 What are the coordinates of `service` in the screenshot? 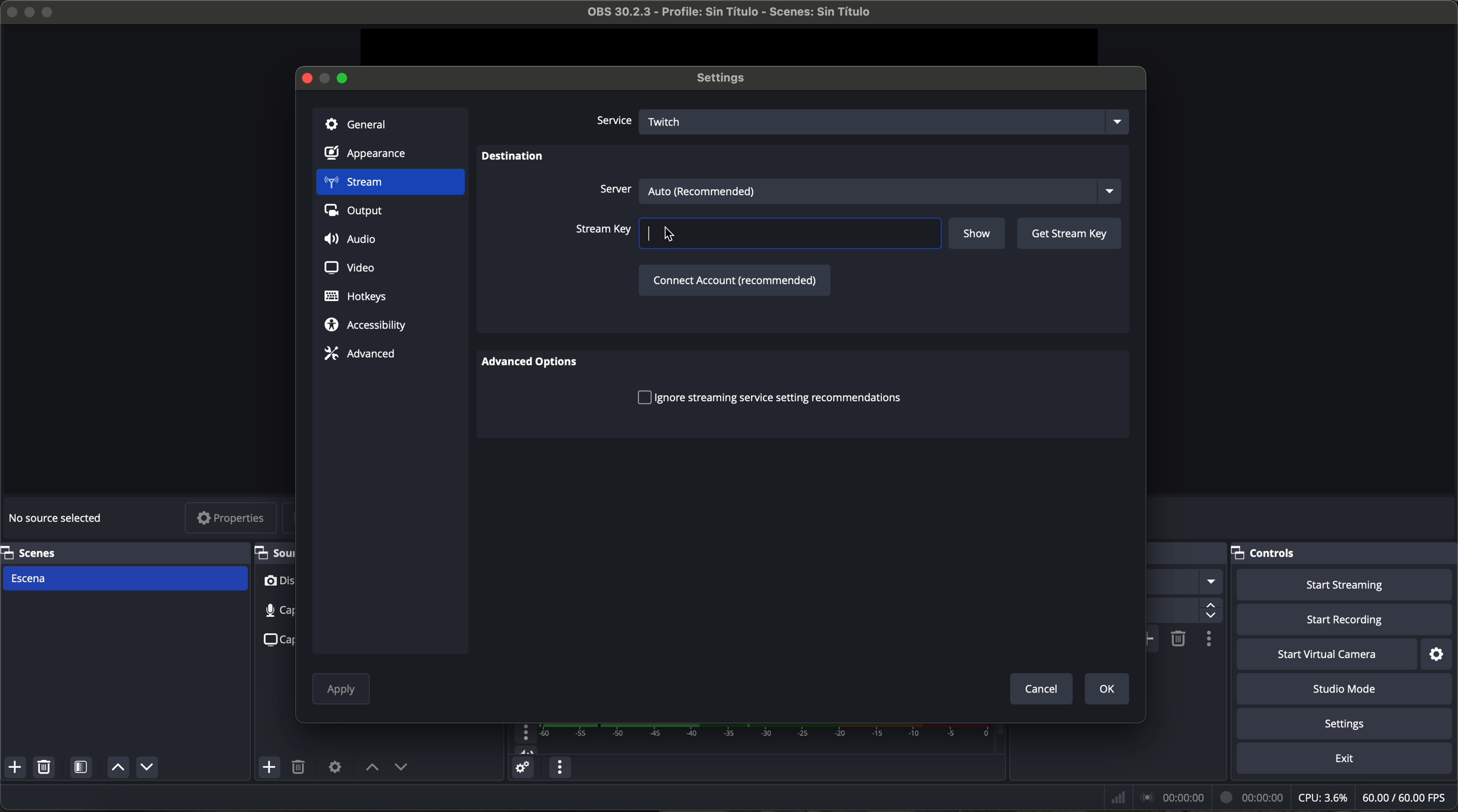 It's located at (612, 122).